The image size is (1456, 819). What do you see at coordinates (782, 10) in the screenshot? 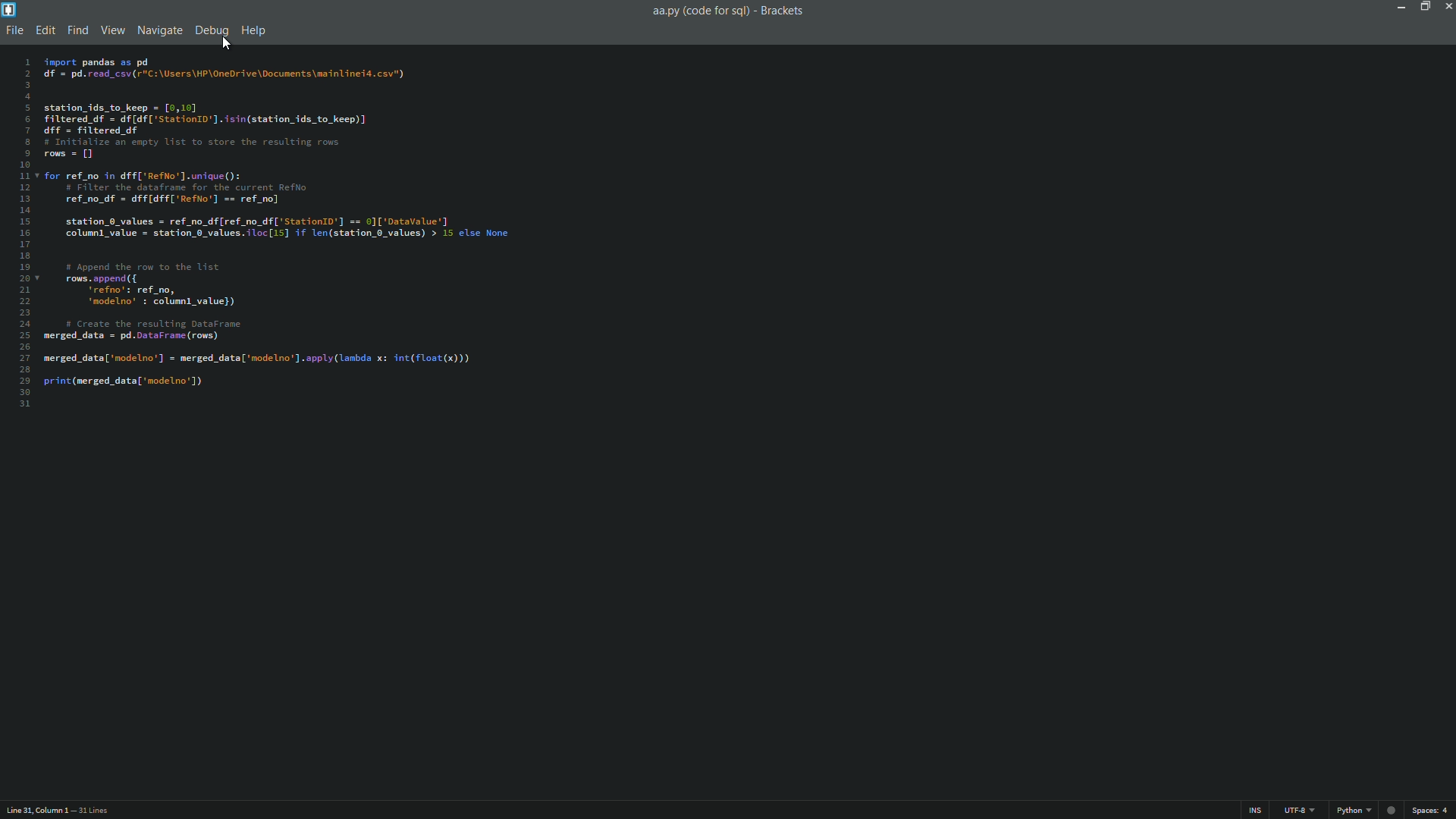
I see `app name` at bounding box center [782, 10].